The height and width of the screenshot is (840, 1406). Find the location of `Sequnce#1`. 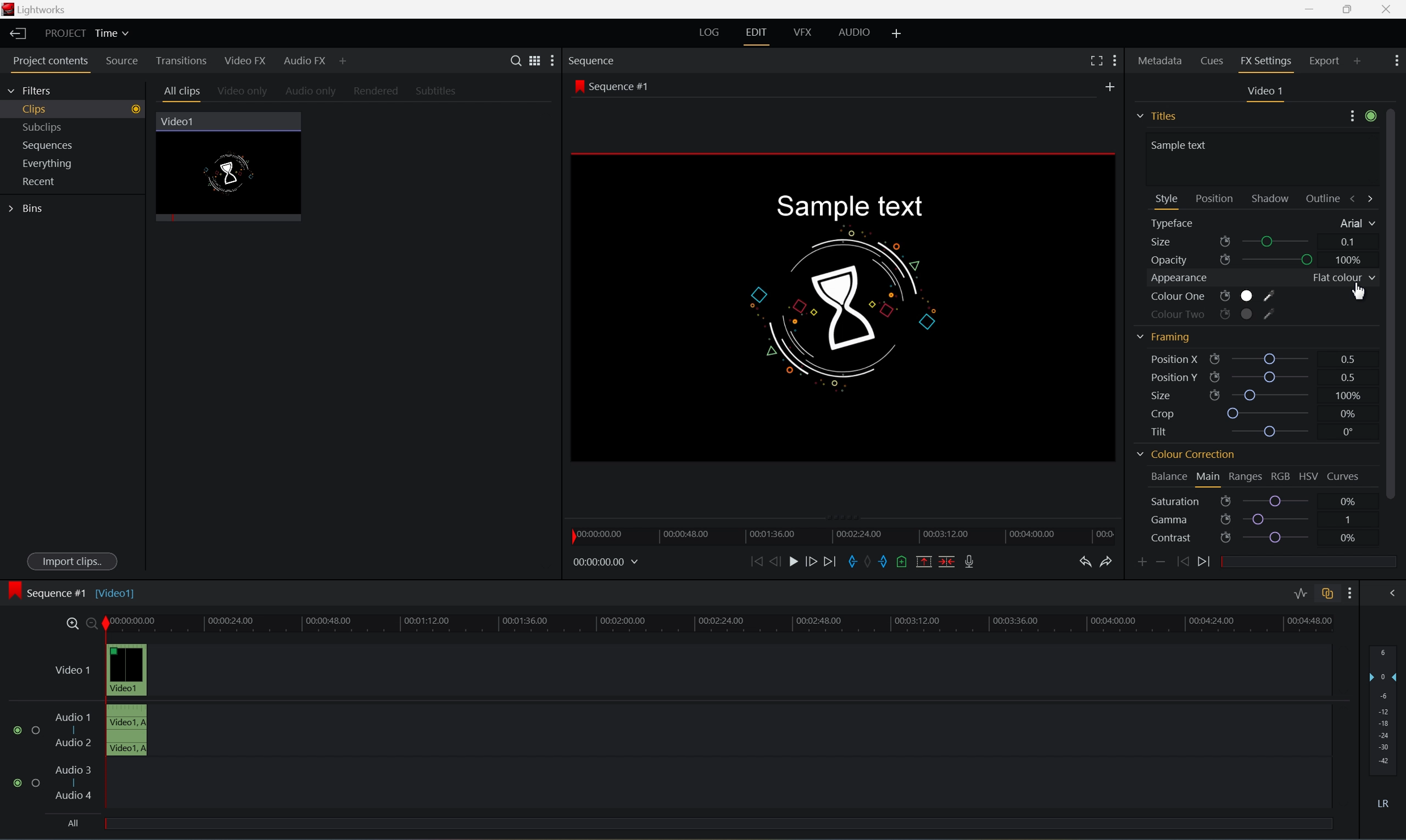

Sequnce#1 is located at coordinates (612, 87).